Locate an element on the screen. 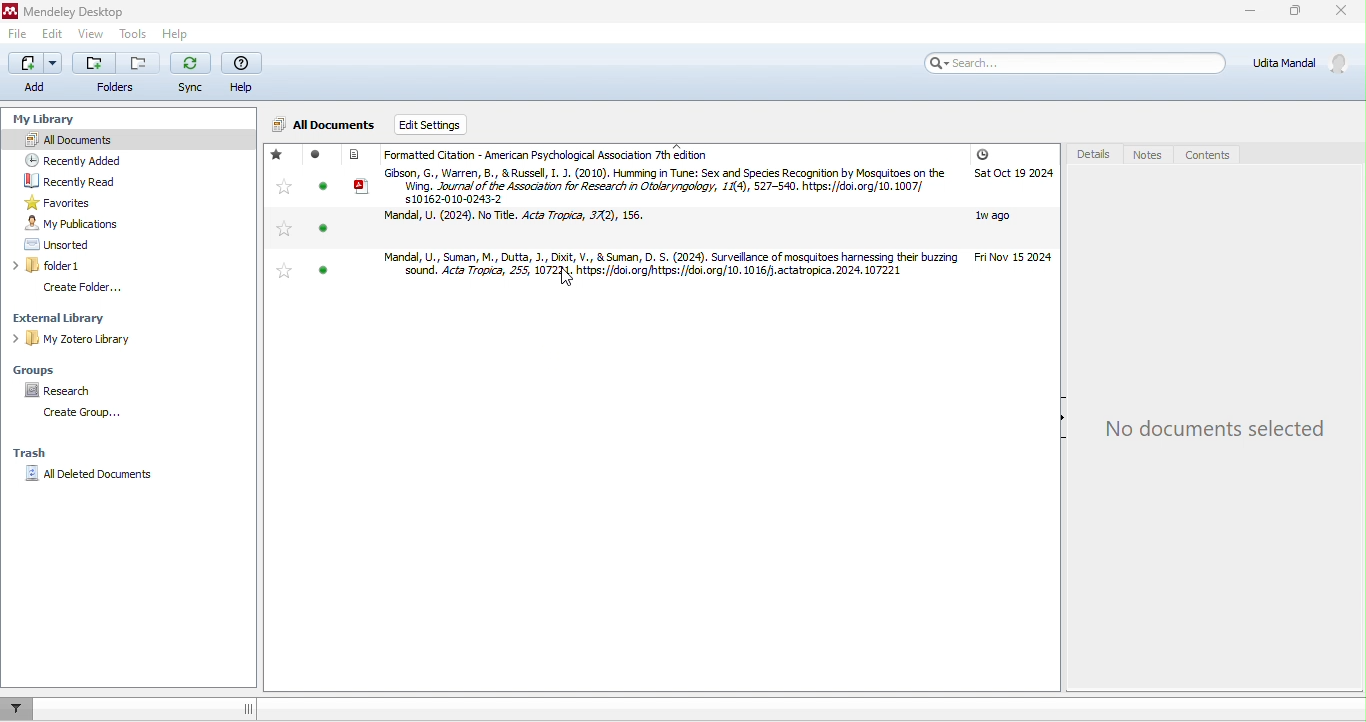  maximize is located at coordinates (1291, 14).